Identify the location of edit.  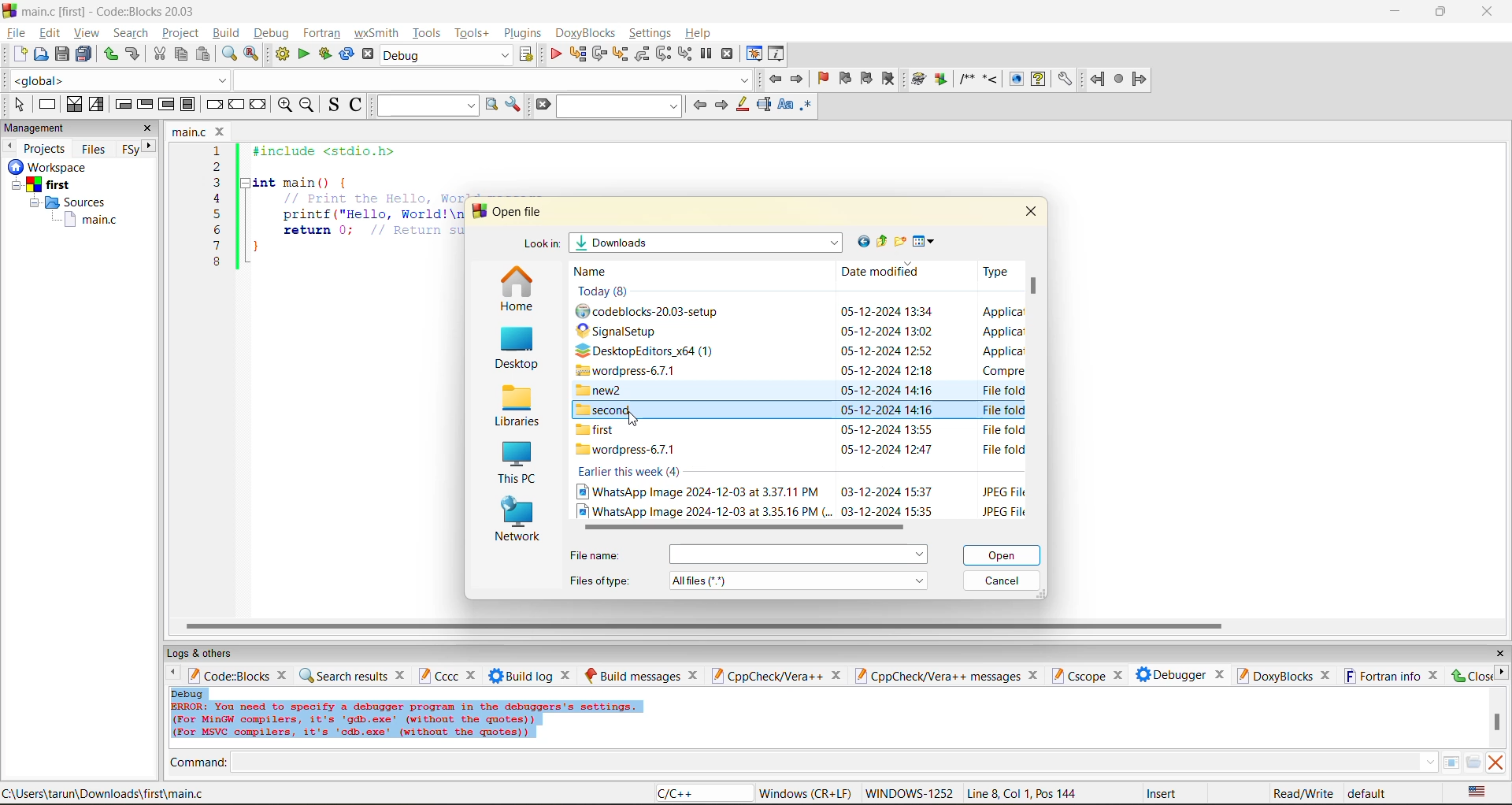
(52, 33).